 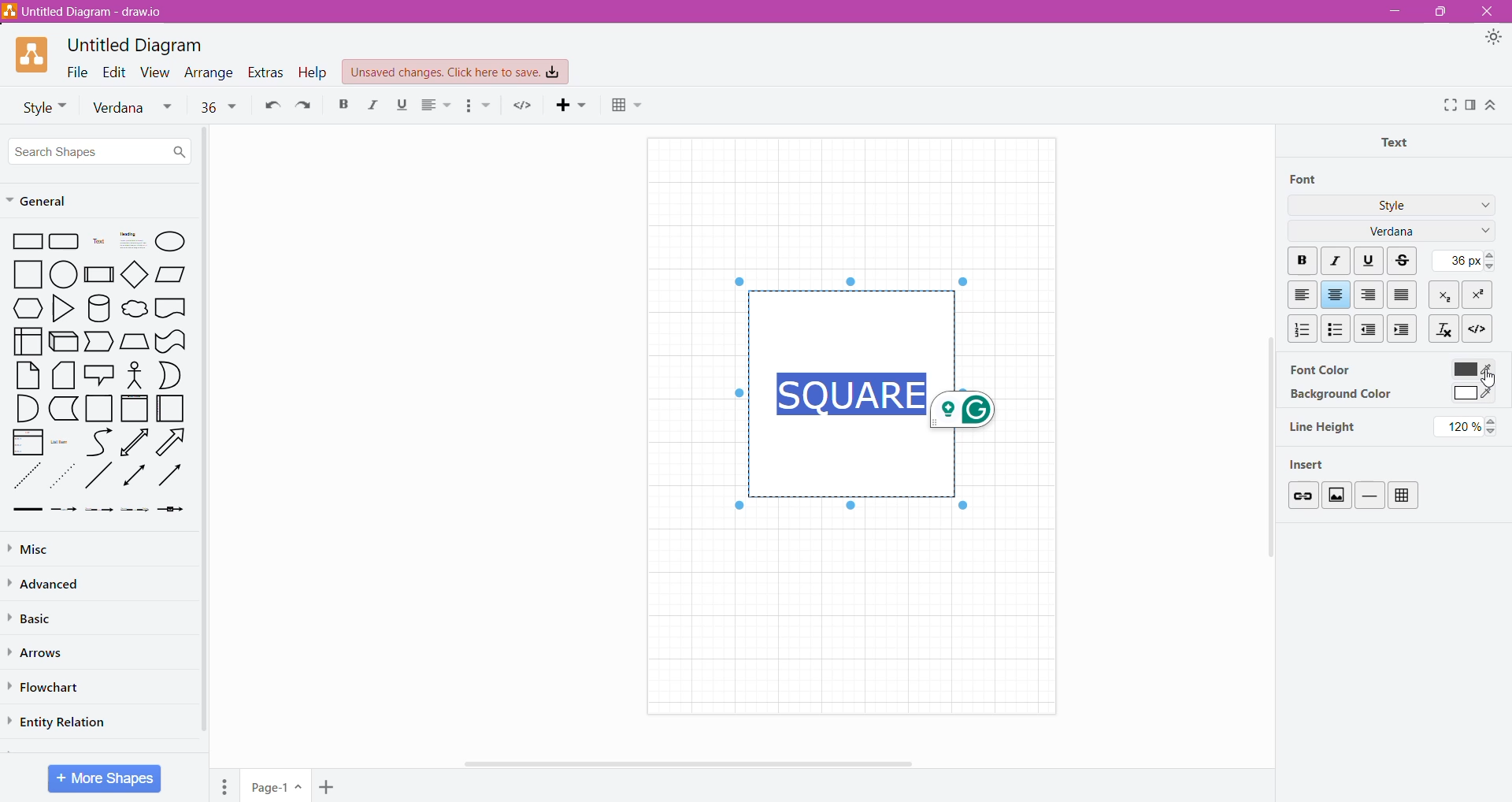 I want to click on General, so click(x=45, y=202).